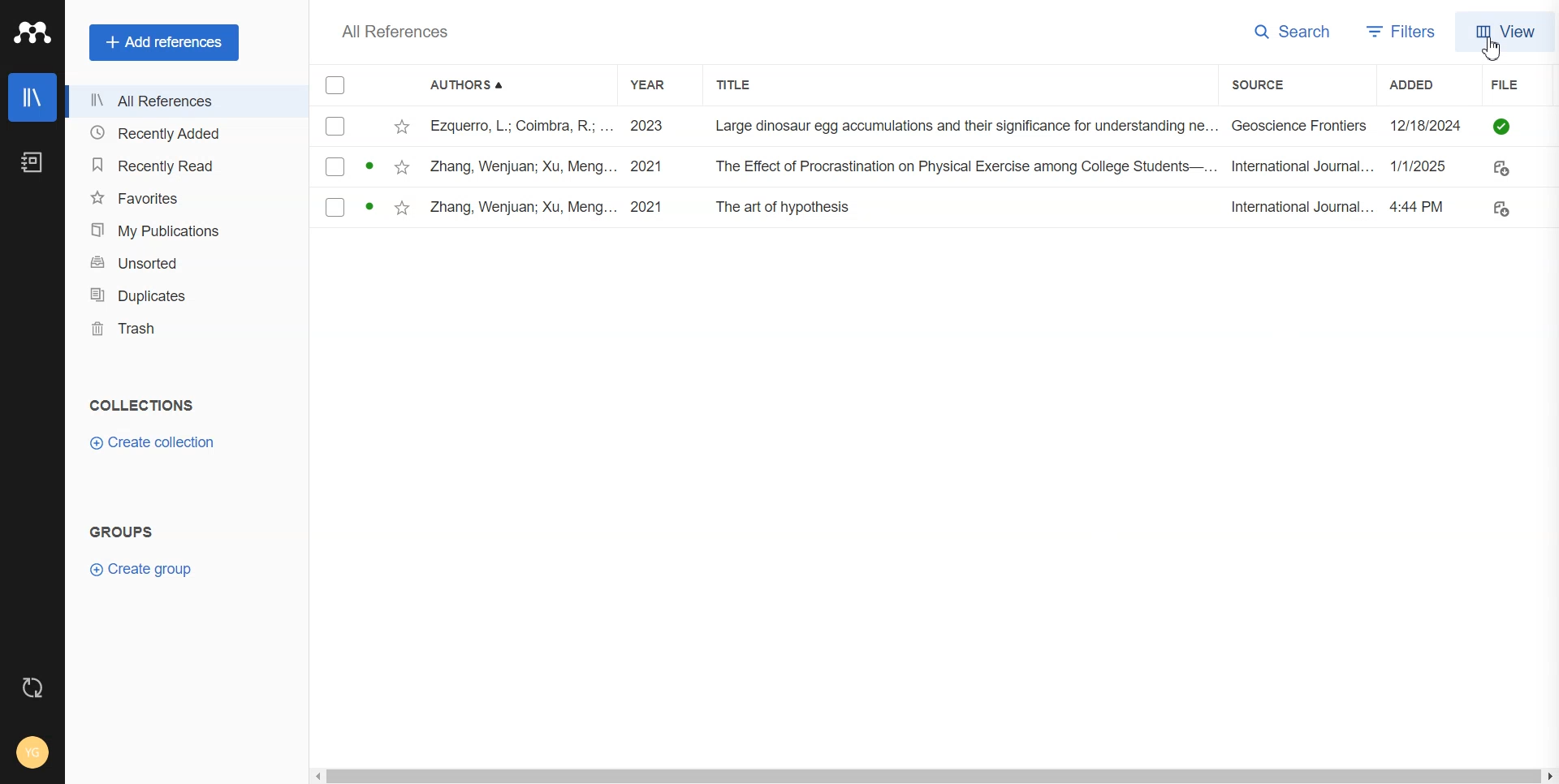  I want to click on Authors, so click(473, 86).